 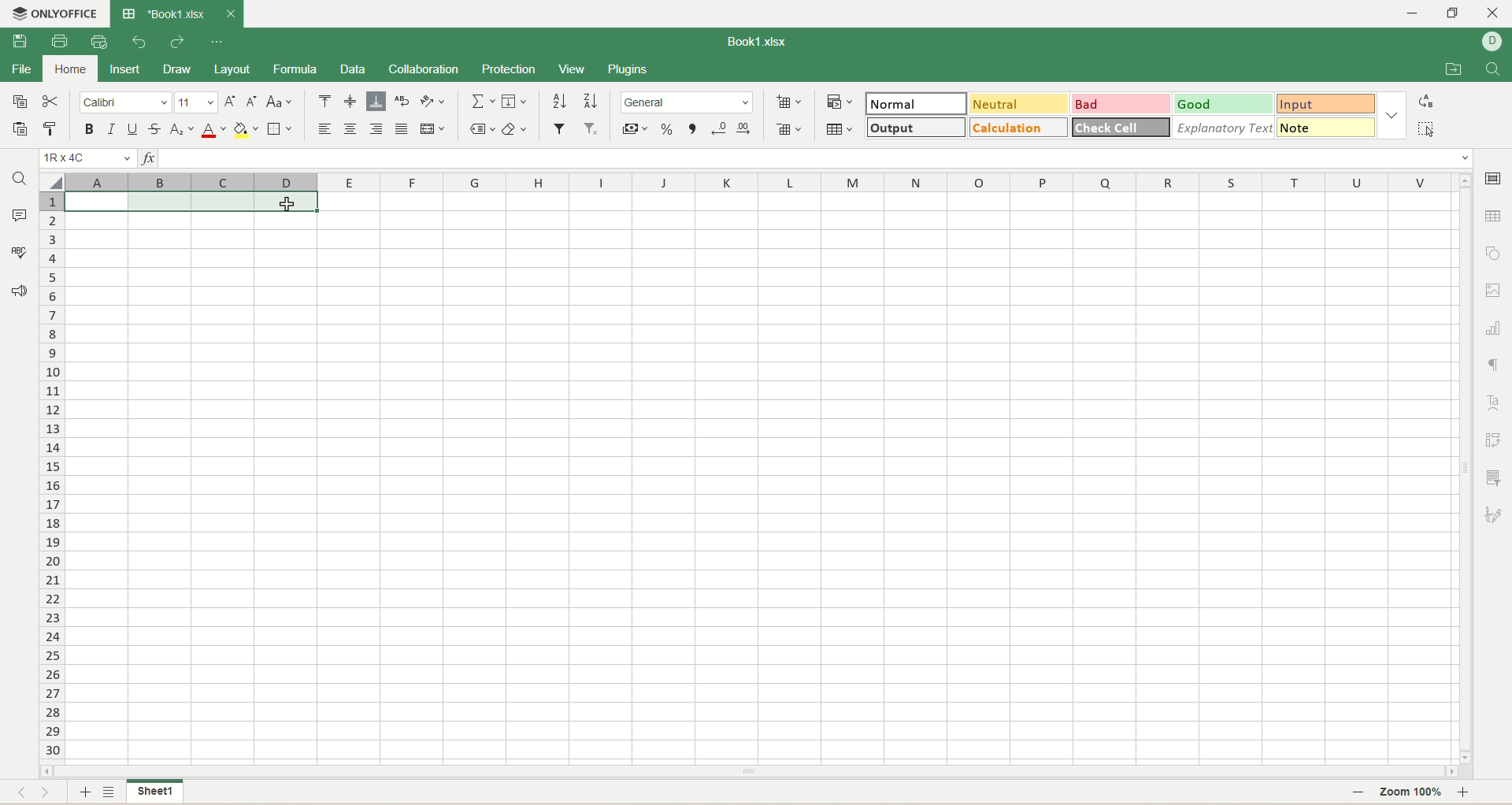 What do you see at coordinates (230, 16) in the screenshot?
I see `close` at bounding box center [230, 16].